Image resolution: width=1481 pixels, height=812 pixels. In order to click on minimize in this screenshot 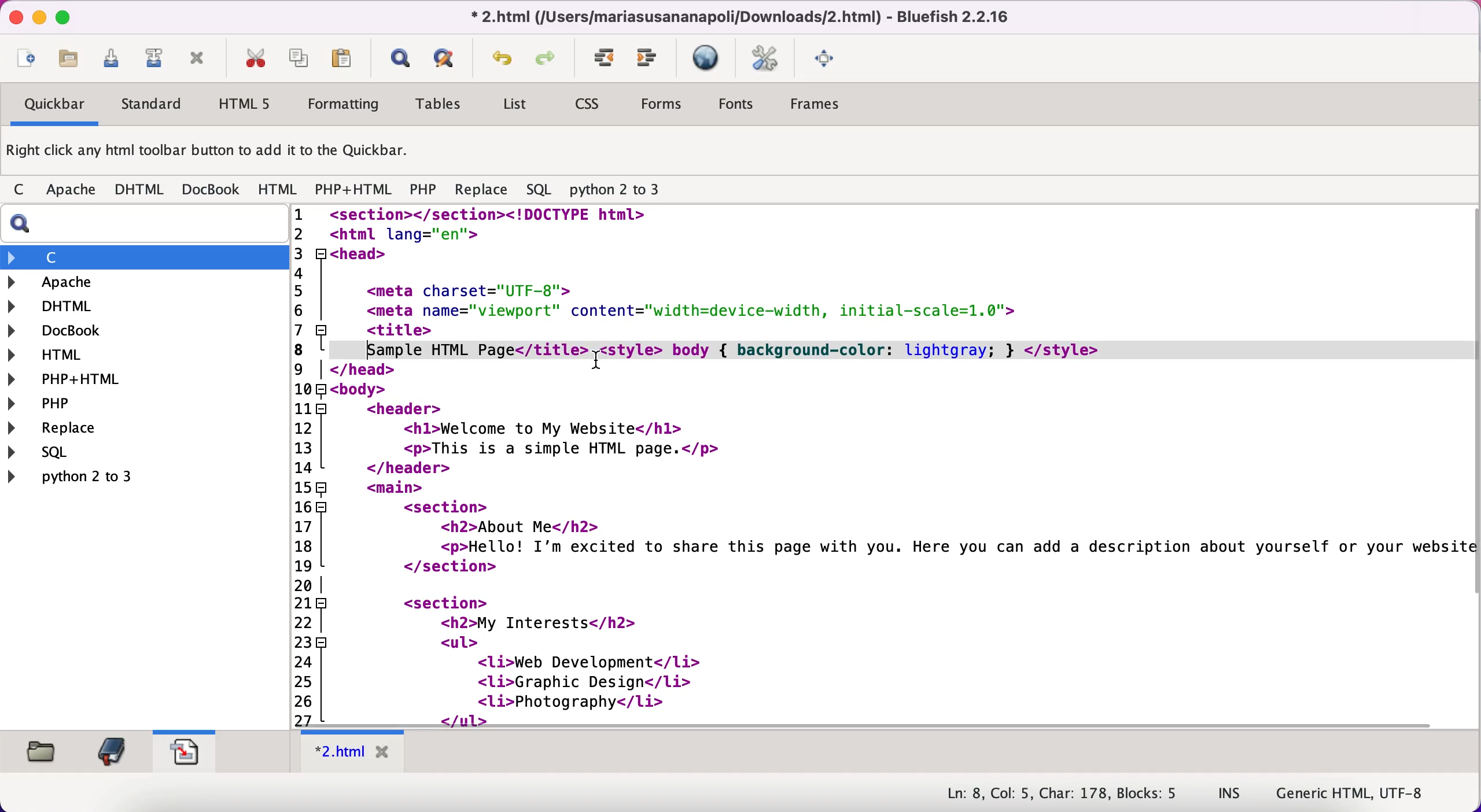, I will do `click(38, 18)`.